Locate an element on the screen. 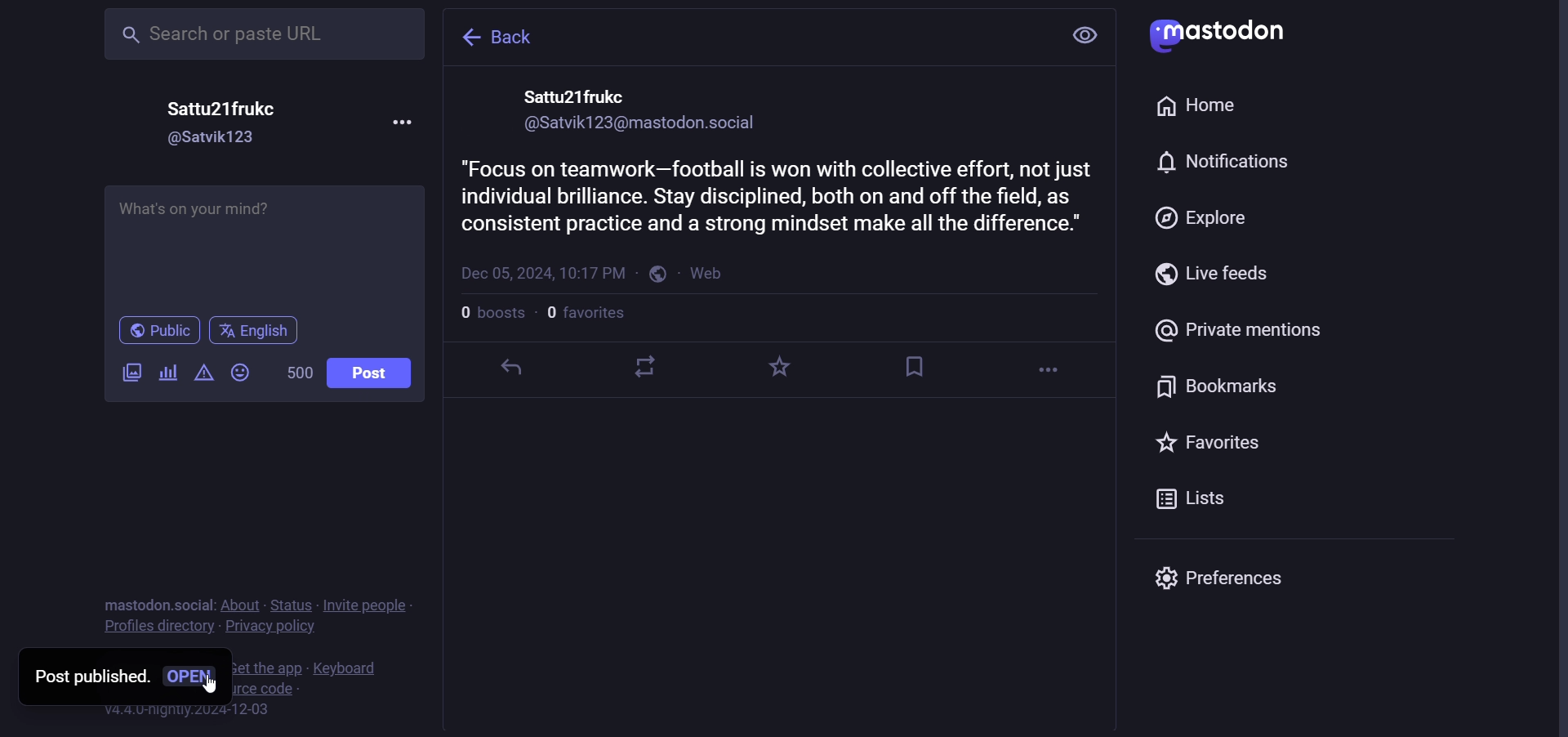 Image resolution: width=1568 pixels, height=737 pixels. post is located at coordinates (370, 375).